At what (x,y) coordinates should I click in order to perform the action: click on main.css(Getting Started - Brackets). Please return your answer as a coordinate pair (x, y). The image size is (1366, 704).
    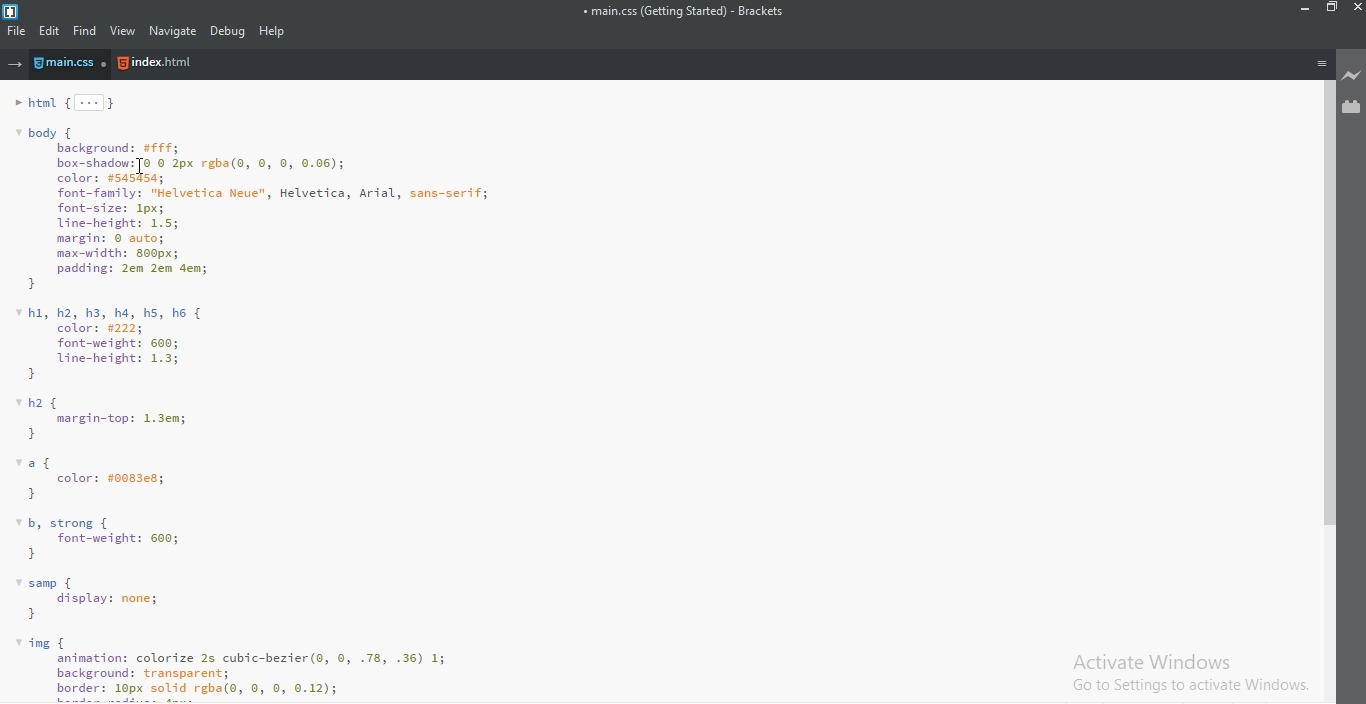
    Looking at the image, I should click on (682, 12).